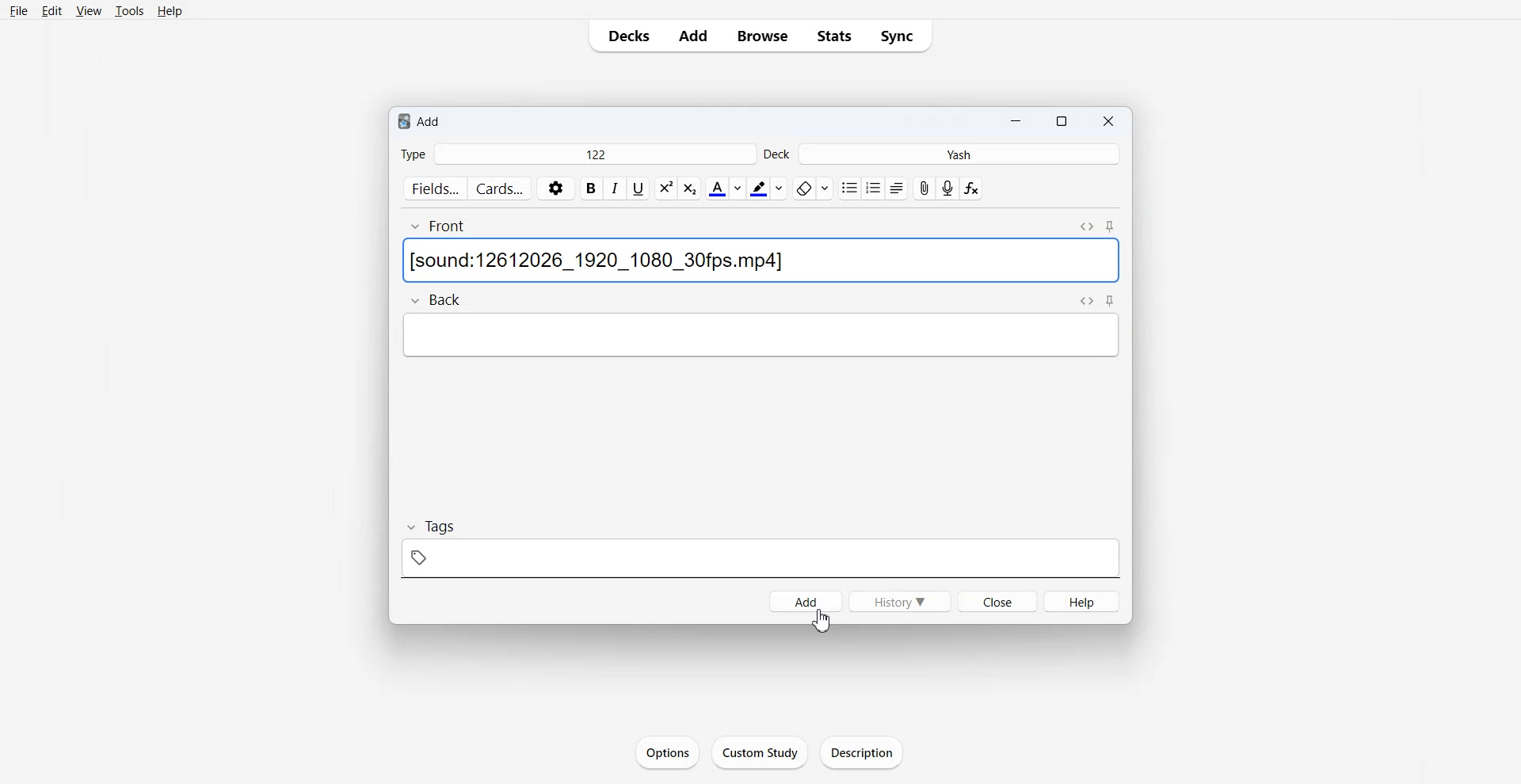 The height and width of the screenshot is (784, 1521). I want to click on typing space, so click(760, 335).